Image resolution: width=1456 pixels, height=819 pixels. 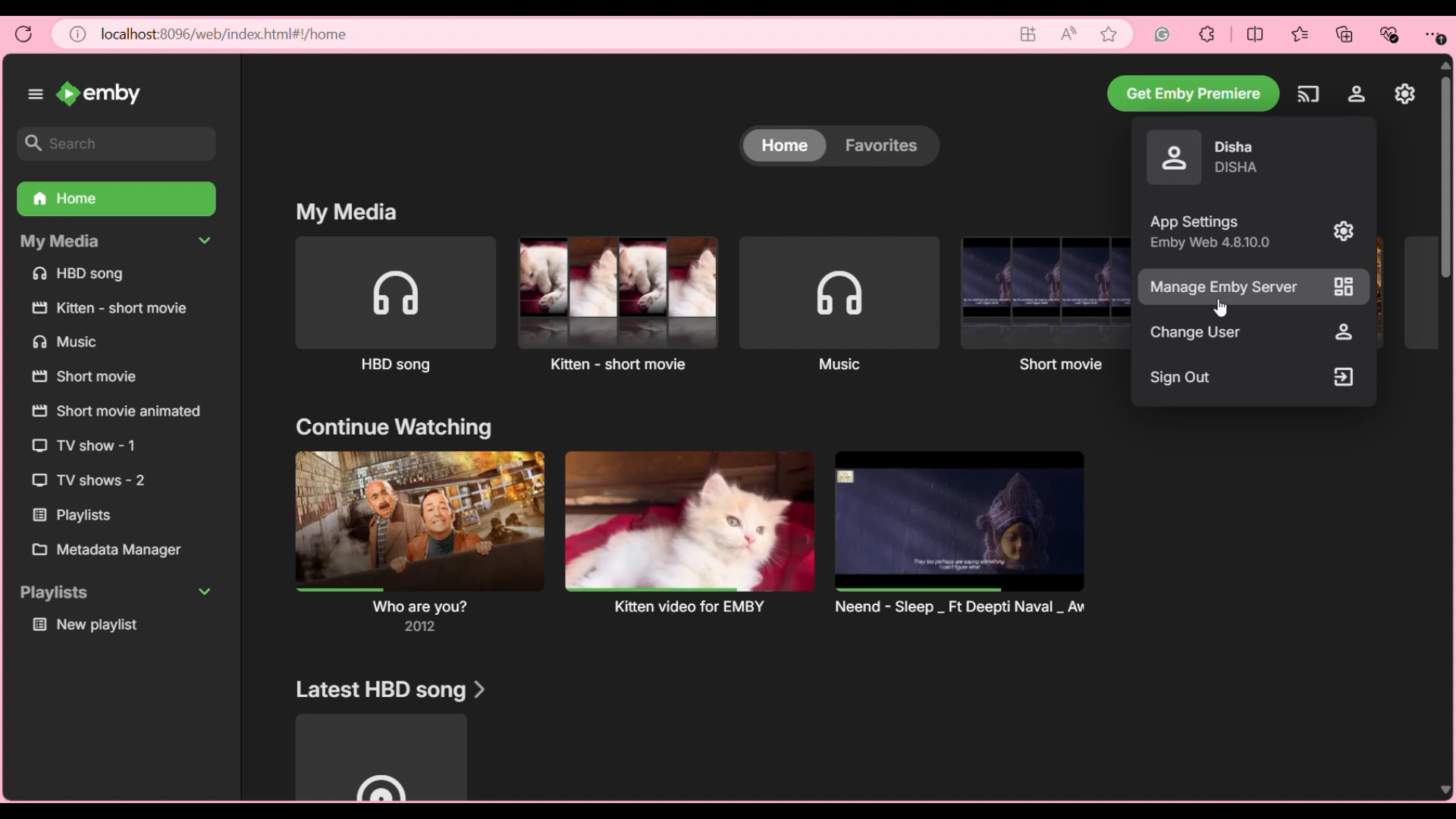 I want to click on neend-sleep-ft deepti naval, so click(x=965, y=532).